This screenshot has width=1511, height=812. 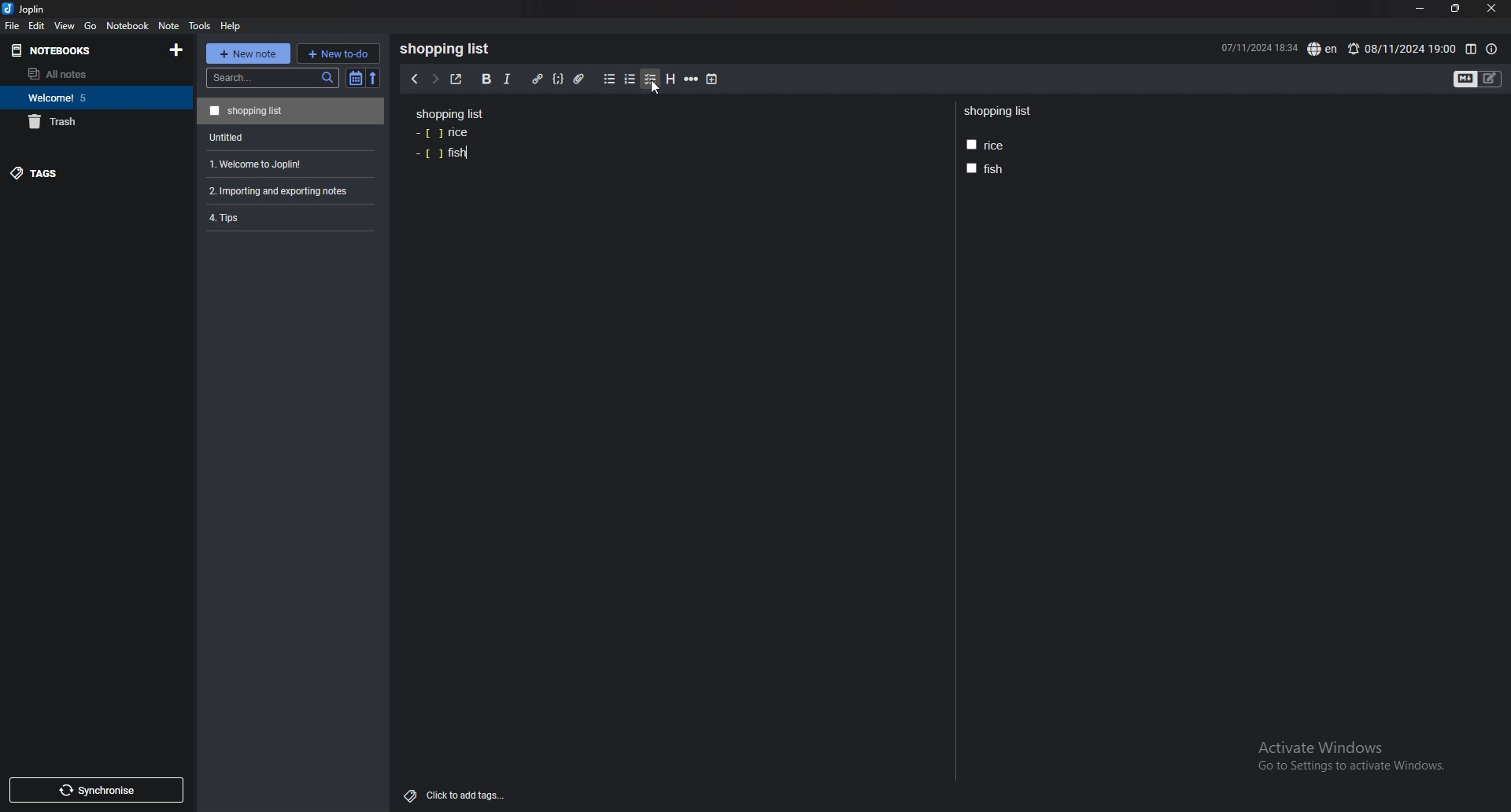 What do you see at coordinates (1401, 49) in the screenshot?
I see ` 08/11/2024 19:00` at bounding box center [1401, 49].